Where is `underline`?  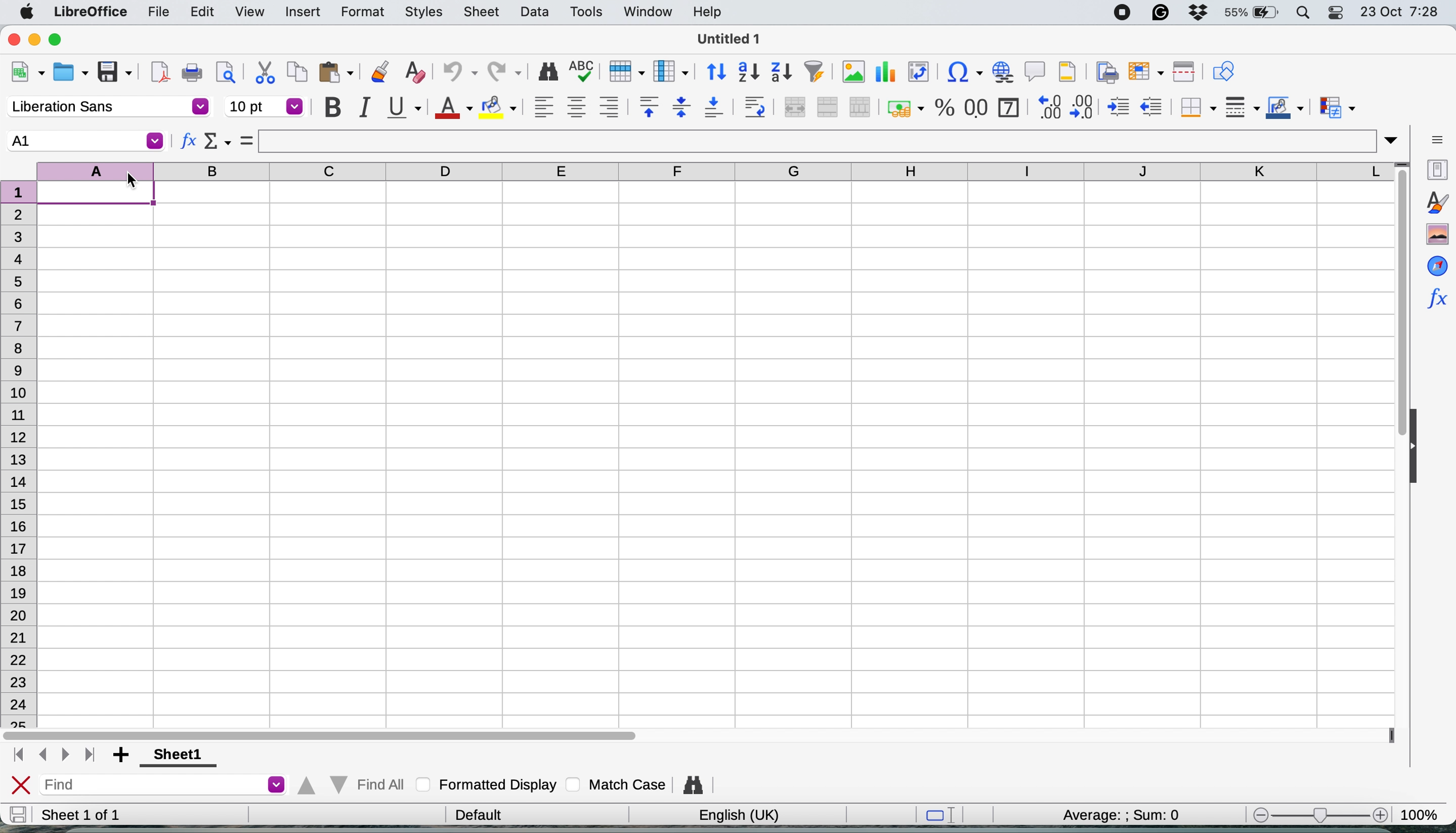
underline is located at coordinates (405, 108).